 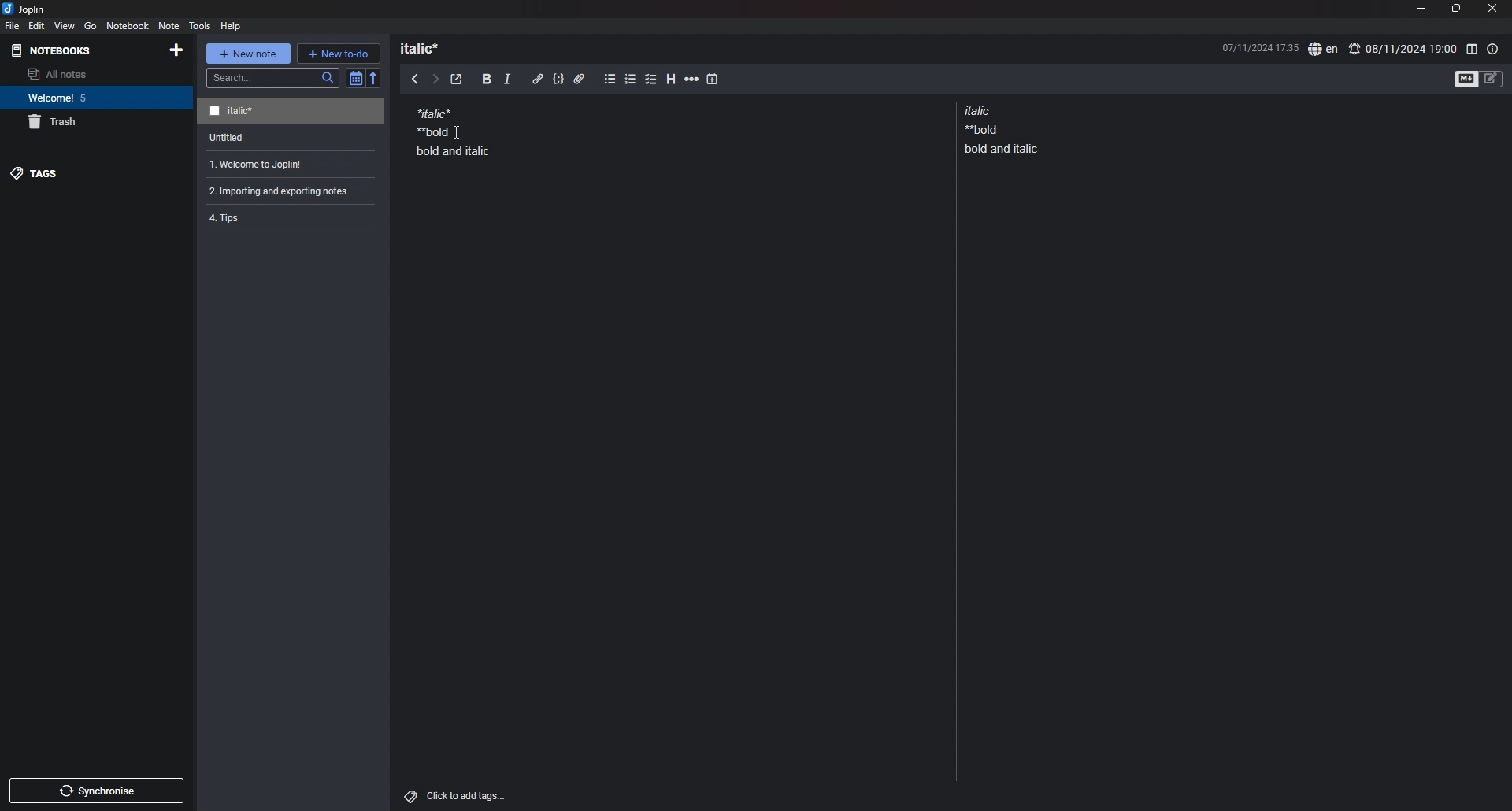 I want to click on checkbox, so click(x=651, y=80).